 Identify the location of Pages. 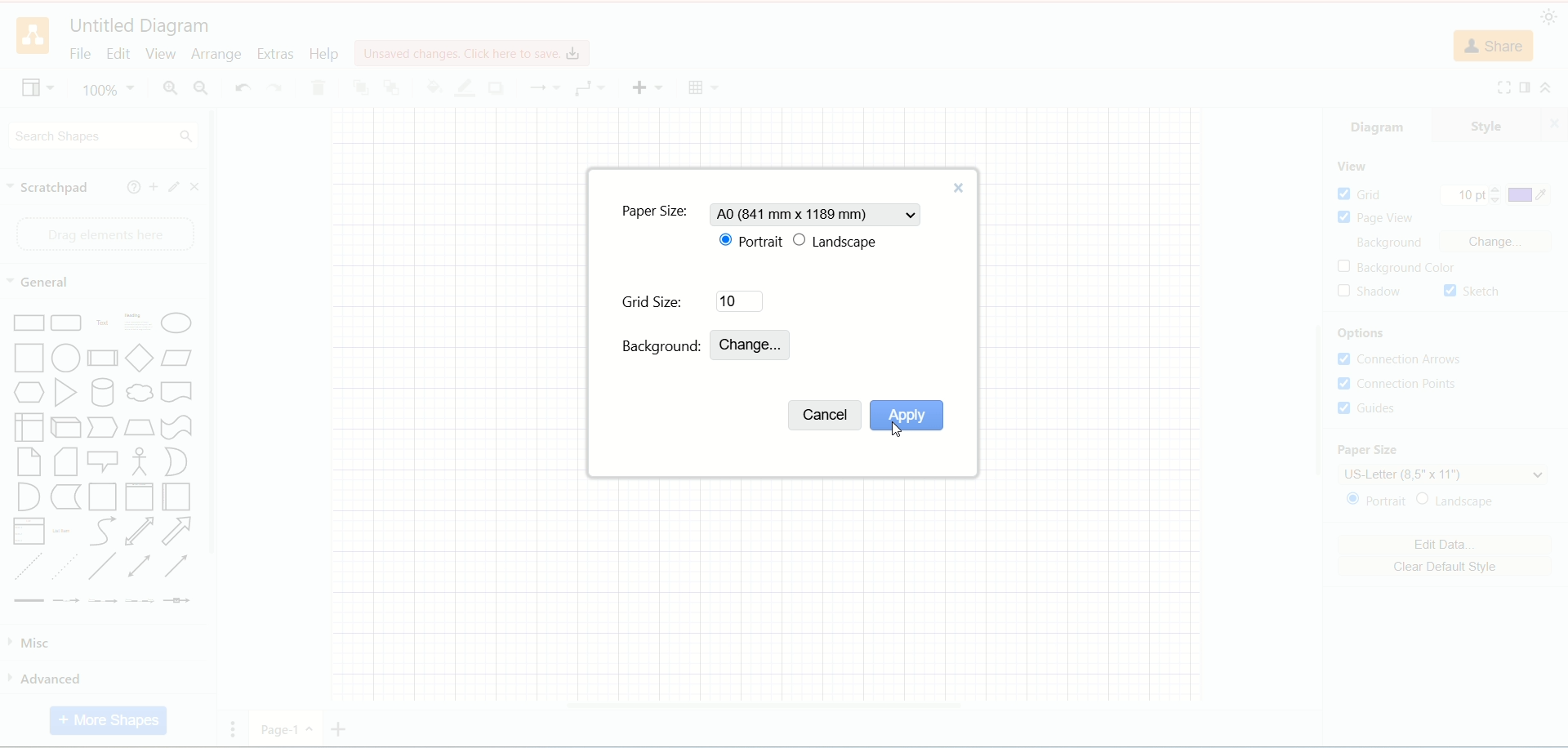
(237, 733).